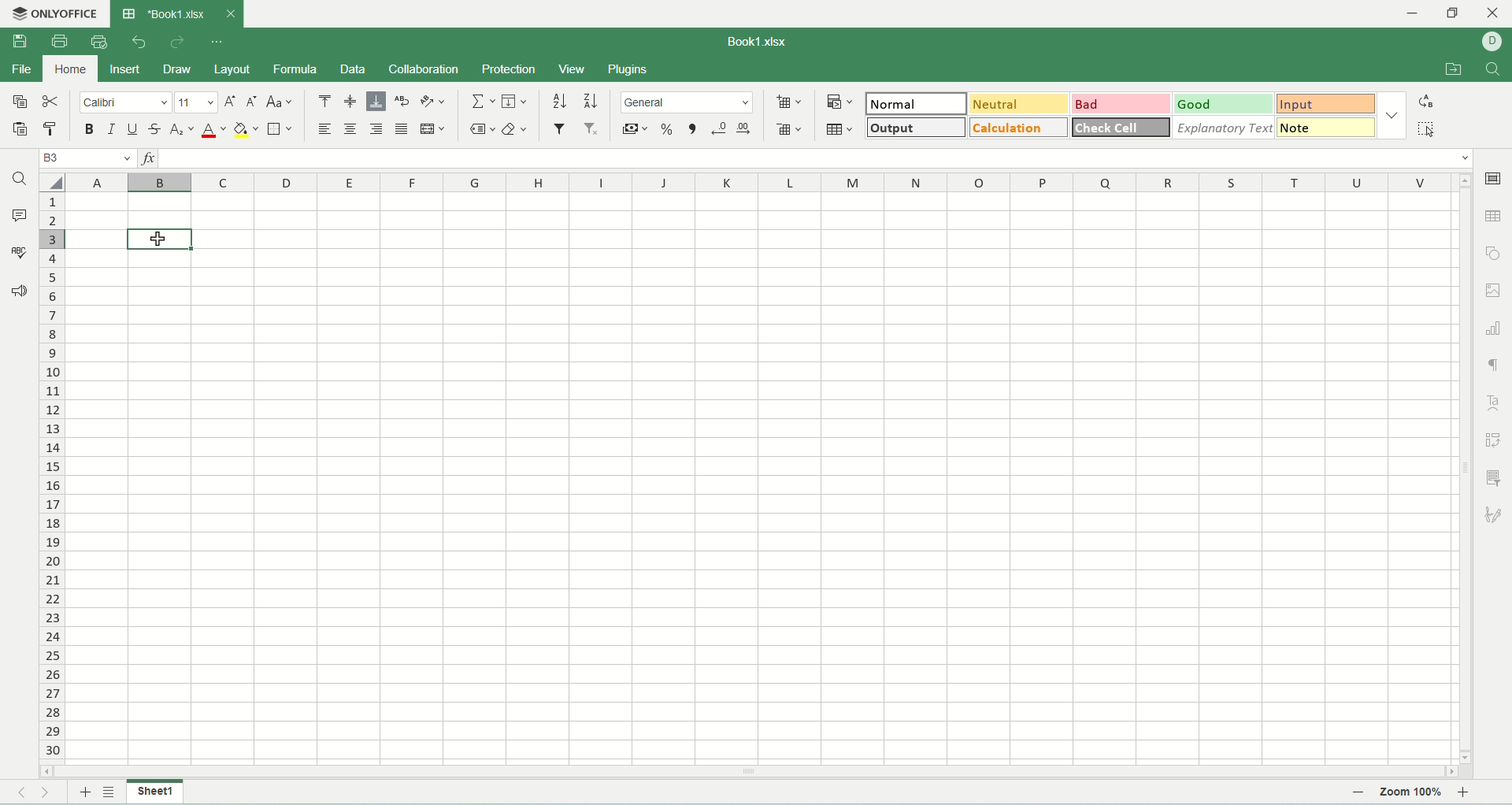 This screenshot has height=805, width=1512. I want to click on named ranges, so click(483, 129).